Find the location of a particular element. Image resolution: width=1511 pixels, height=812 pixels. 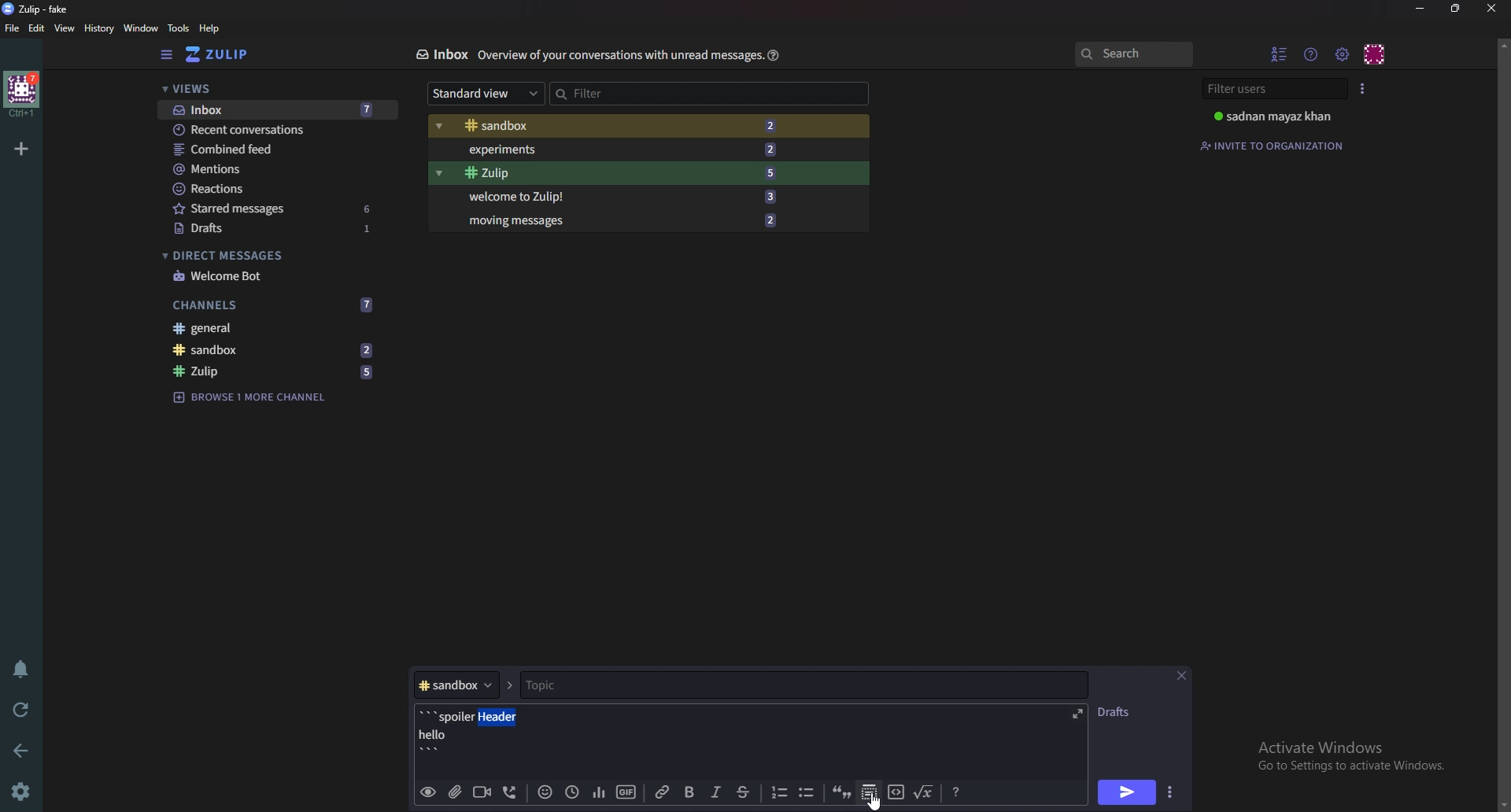

Browse 1 more channel is located at coordinates (260, 397).